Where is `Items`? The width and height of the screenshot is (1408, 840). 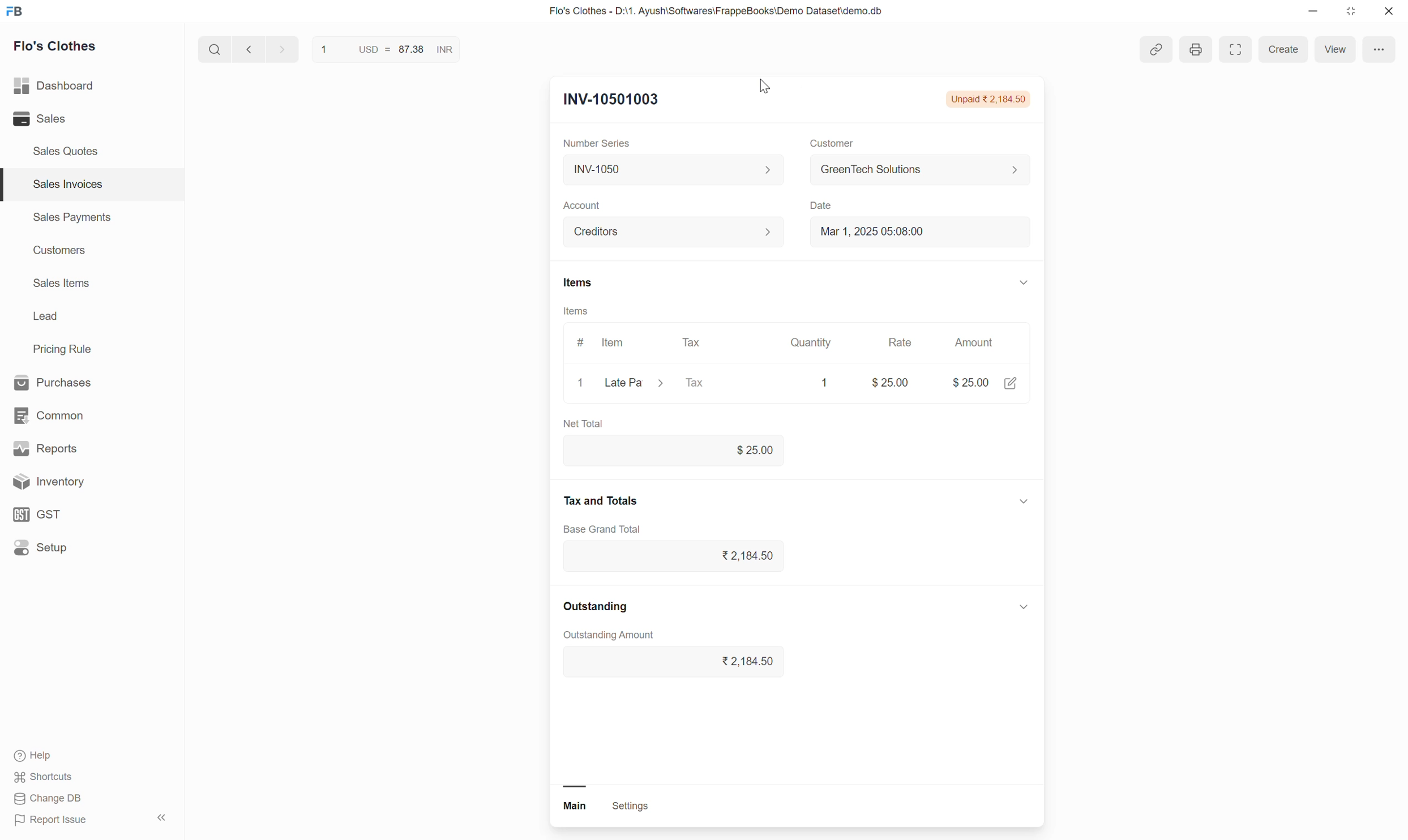 Items is located at coordinates (576, 312).